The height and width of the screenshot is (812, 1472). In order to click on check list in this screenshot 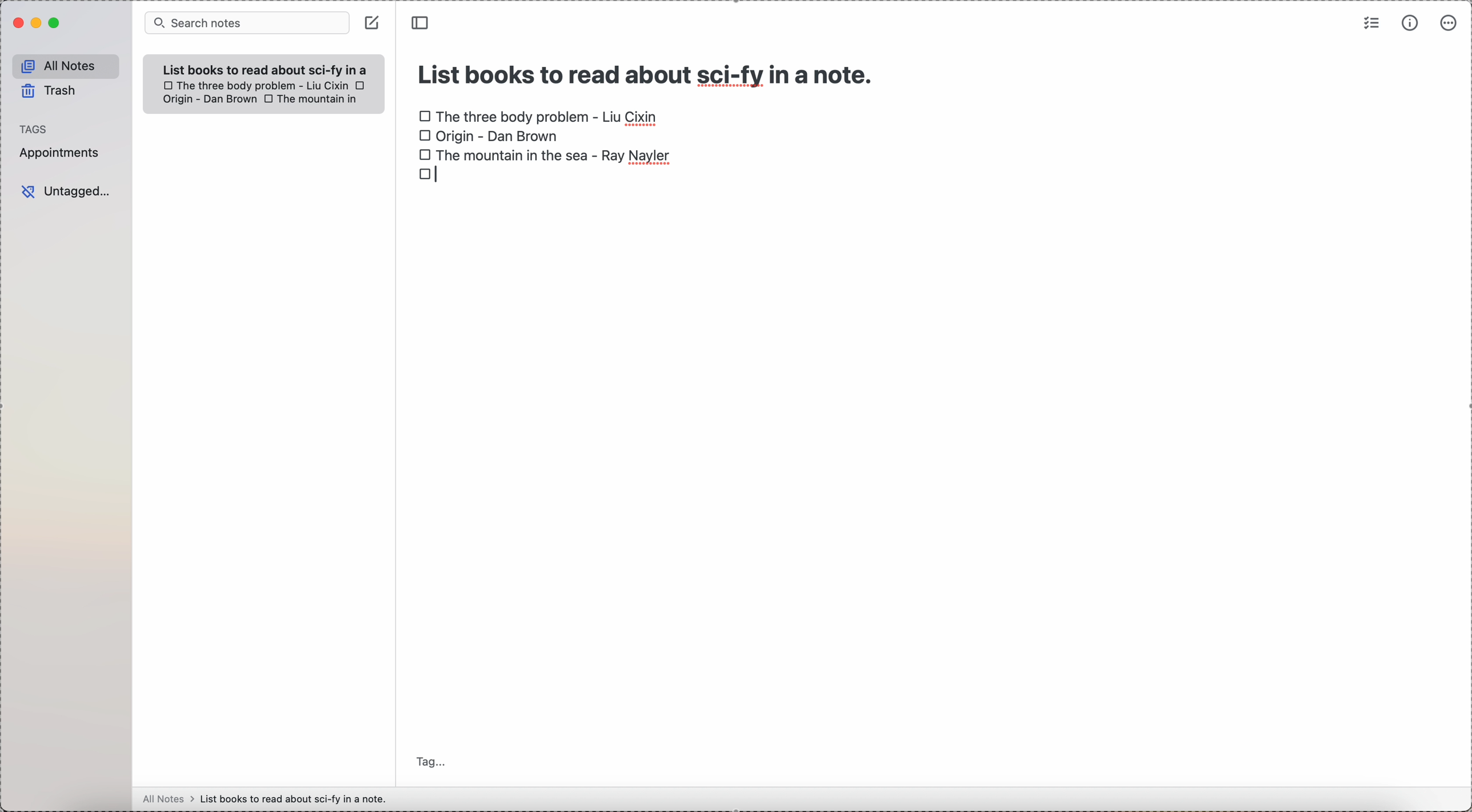, I will do `click(1371, 23)`.